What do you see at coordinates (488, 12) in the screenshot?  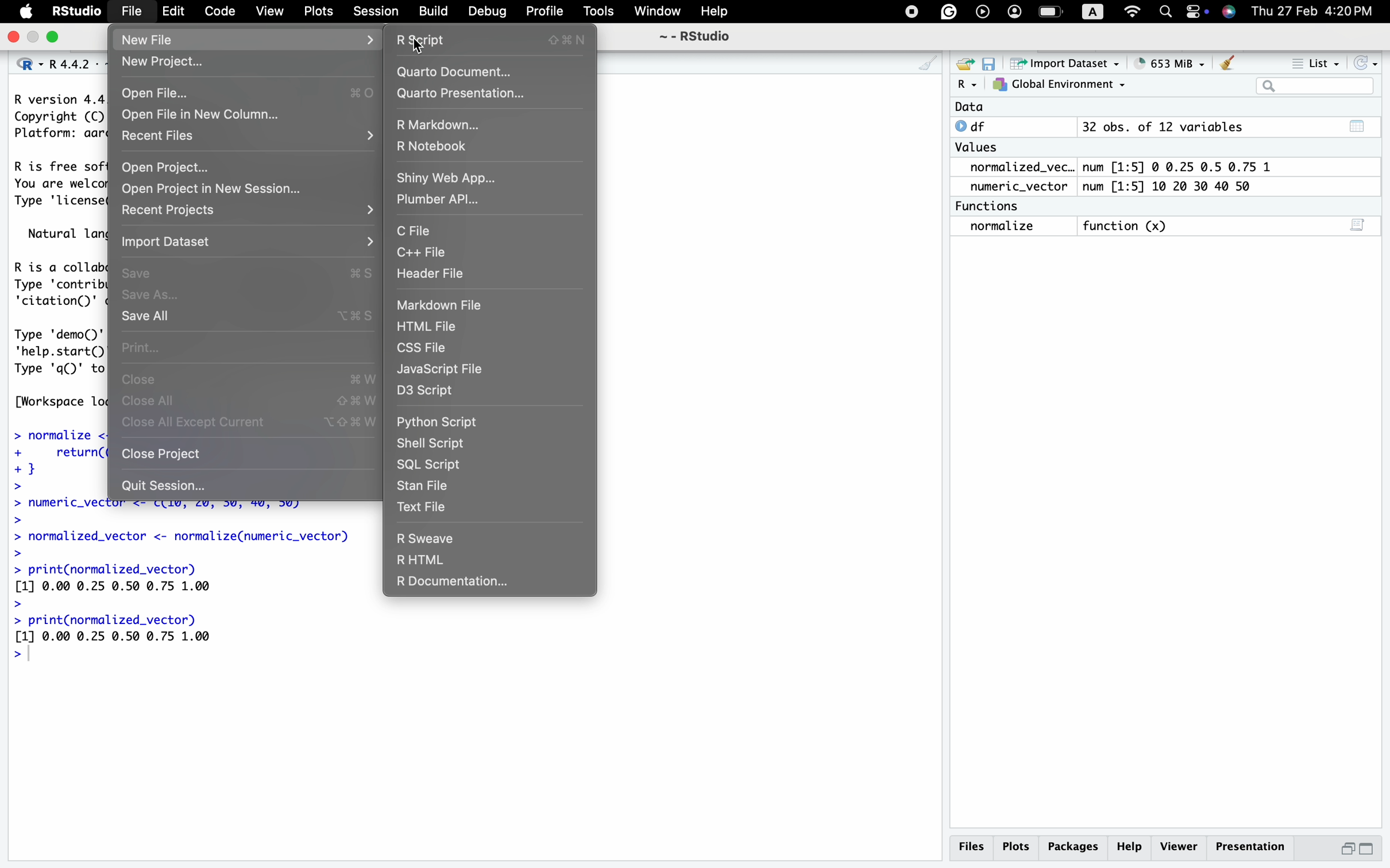 I see `Debug` at bounding box center [488, 12].